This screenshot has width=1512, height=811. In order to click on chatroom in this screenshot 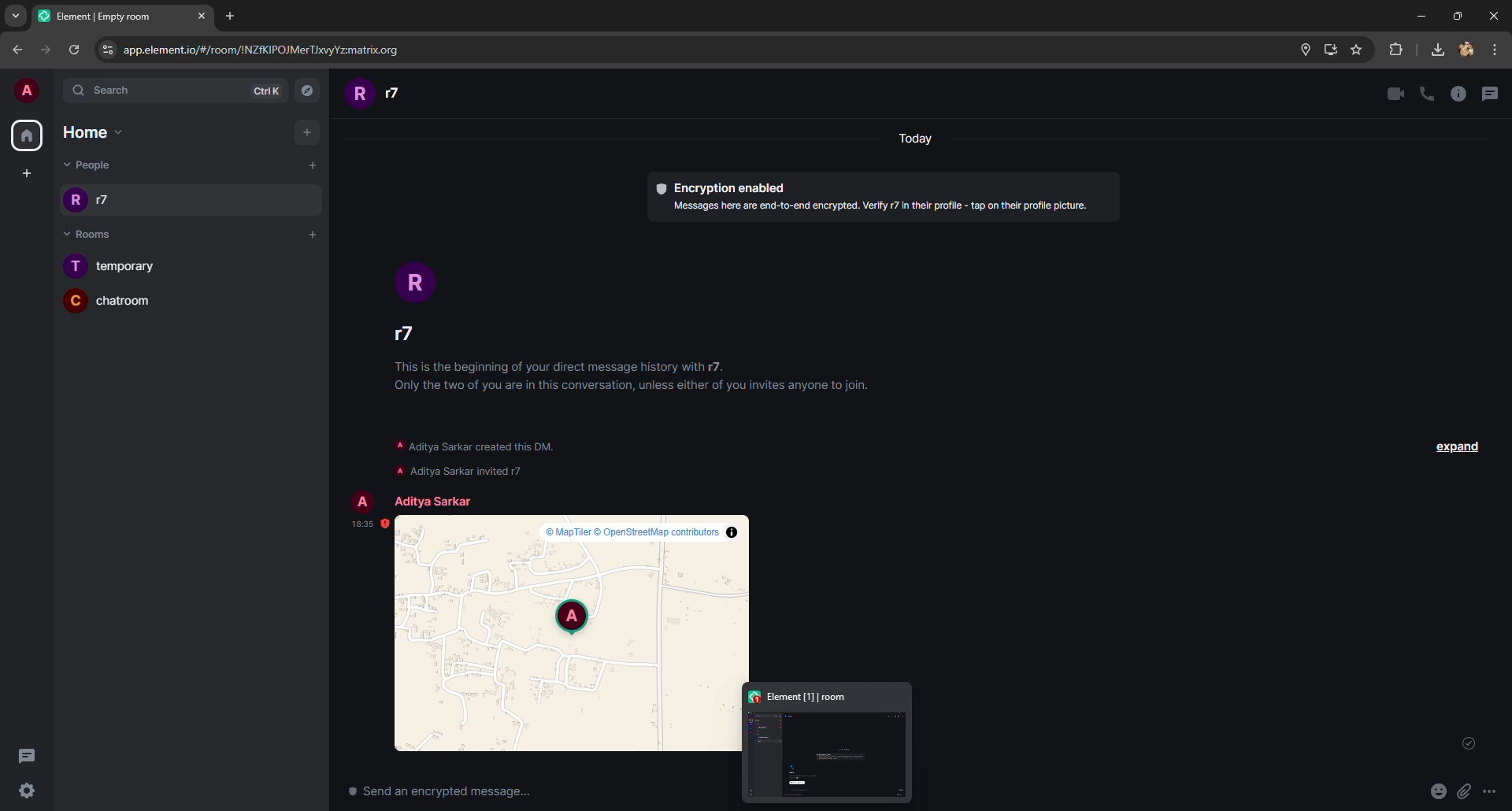, I will do `click(119, 305)`.